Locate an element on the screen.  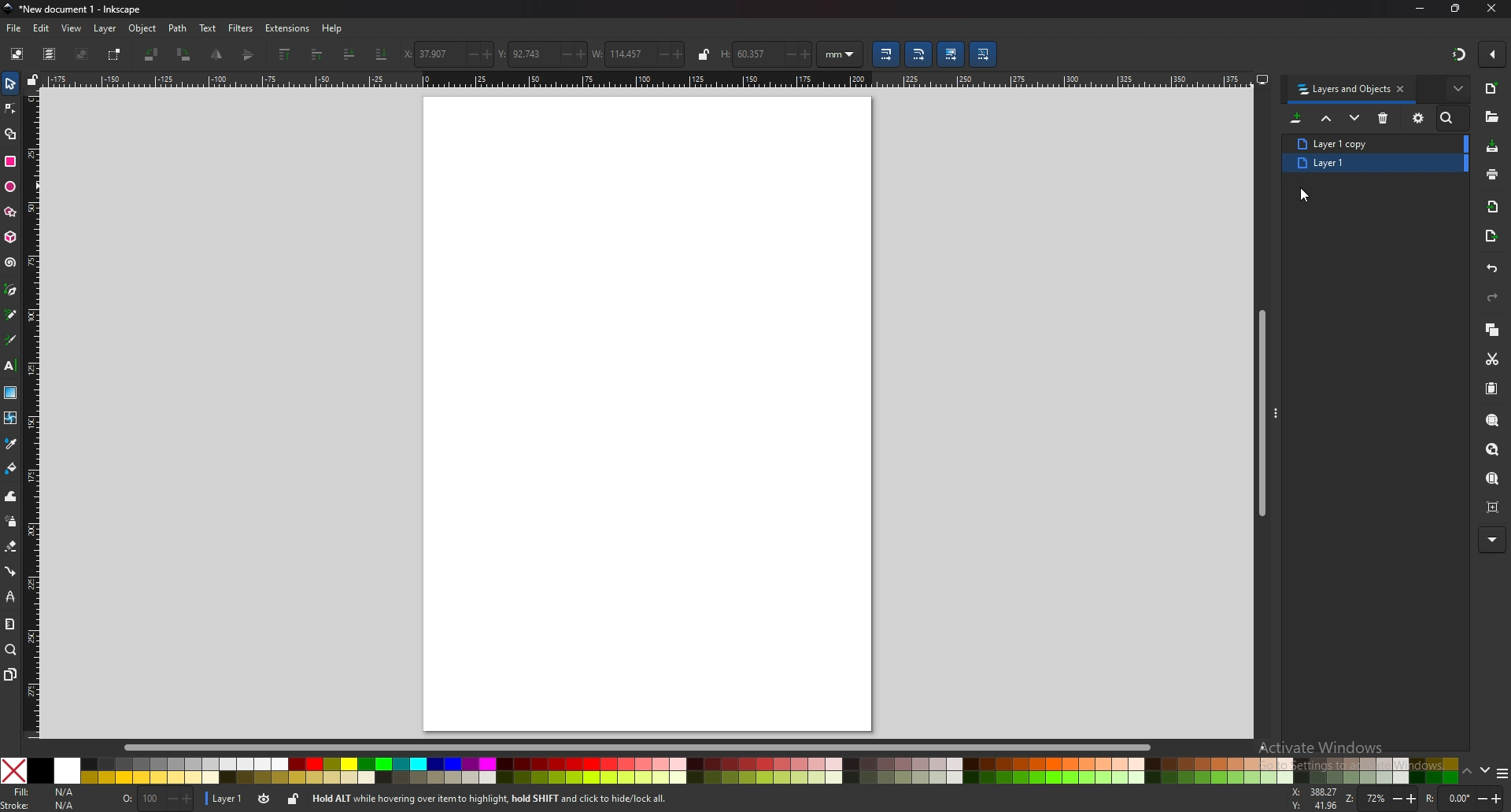
erase is located at coordinates (12, 548).